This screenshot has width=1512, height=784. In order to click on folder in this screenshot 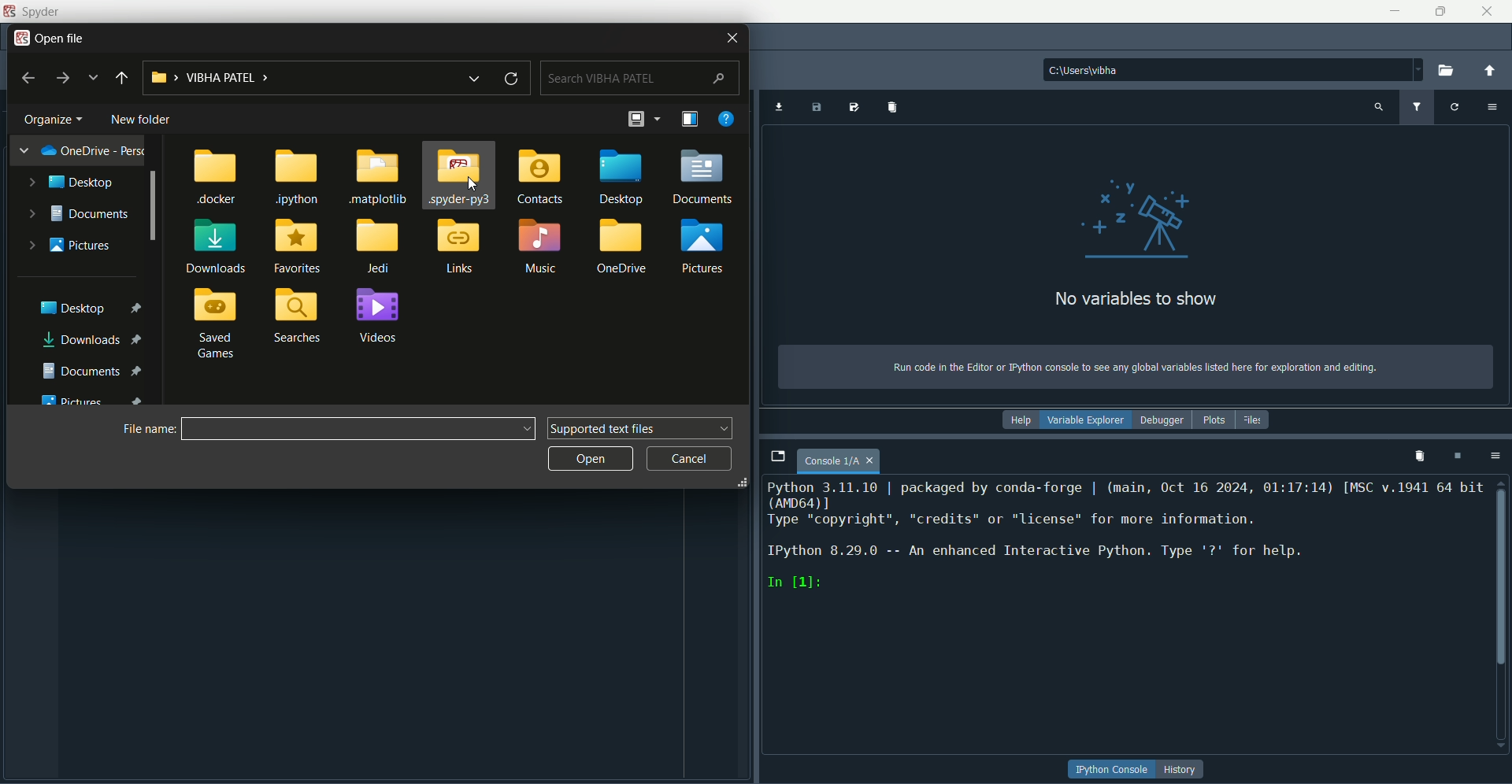, I will do `click(705, 175)`.